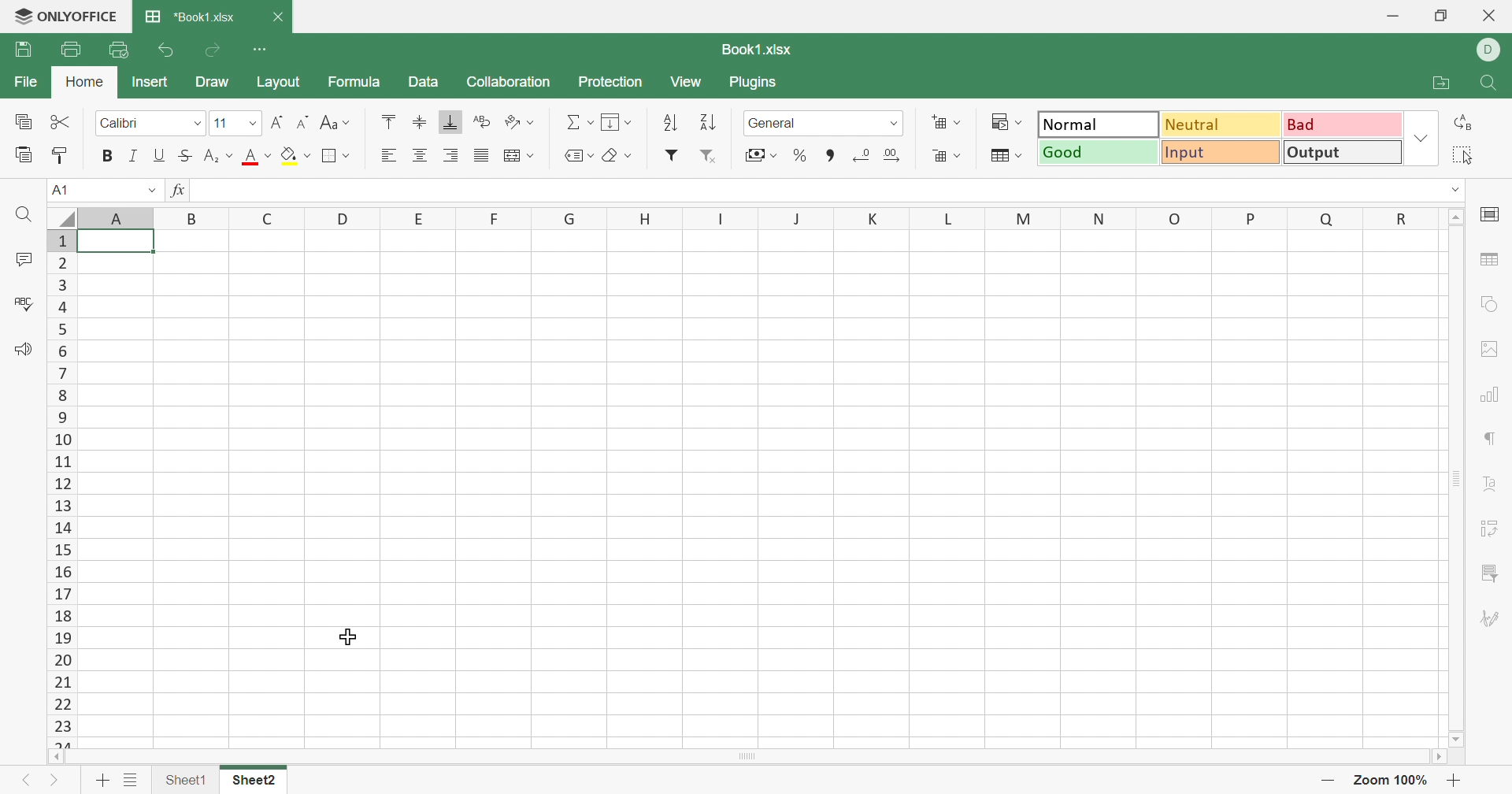 This screenshot has width=1512, height=794. What do you see at coordinates (264, 49) in the screenshot?
I see `Customize Quick Access Toolbar` at bounding box center [264, 49].